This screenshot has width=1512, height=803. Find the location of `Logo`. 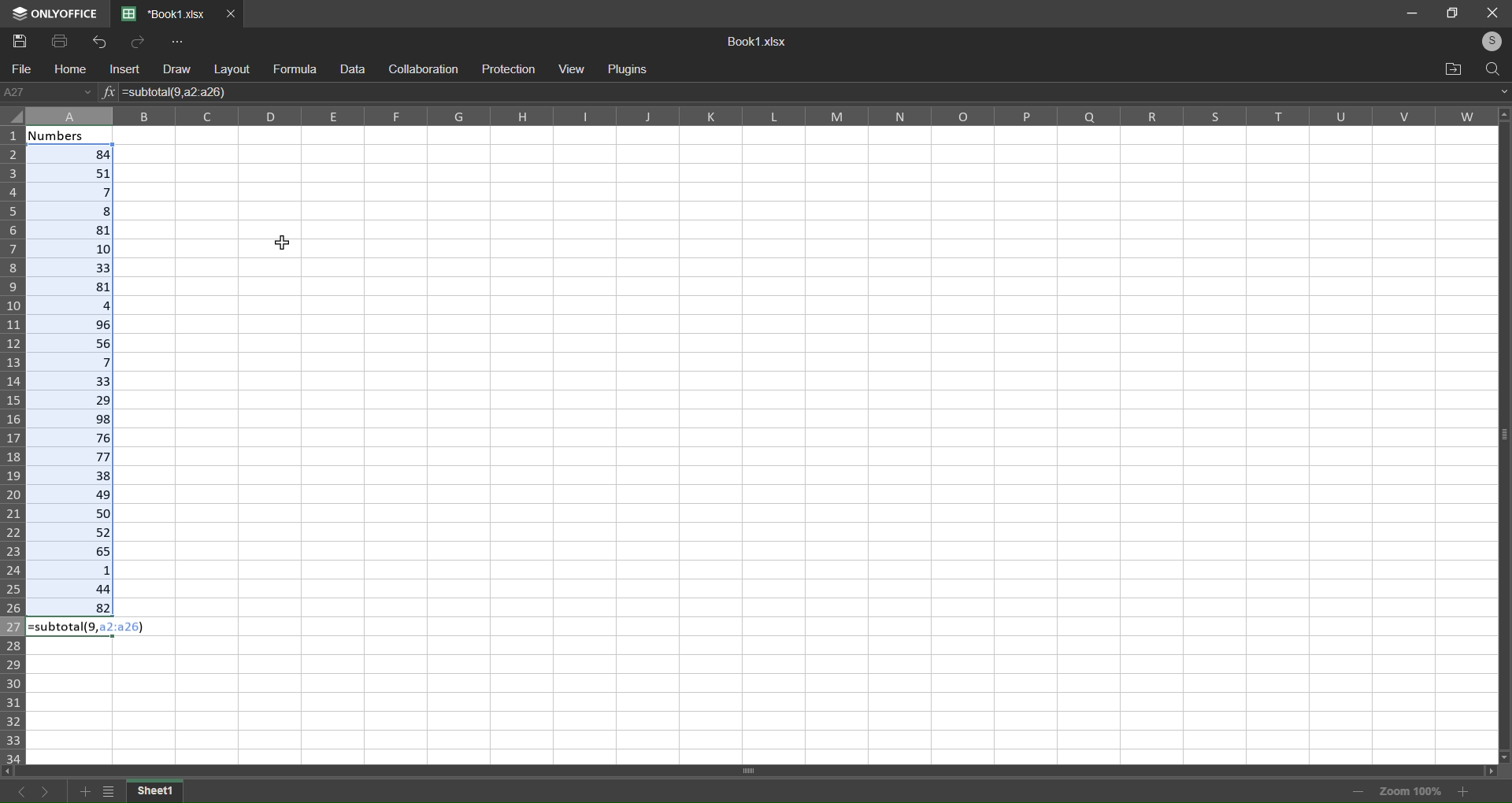

Logo is located at coordinates (56, 14).